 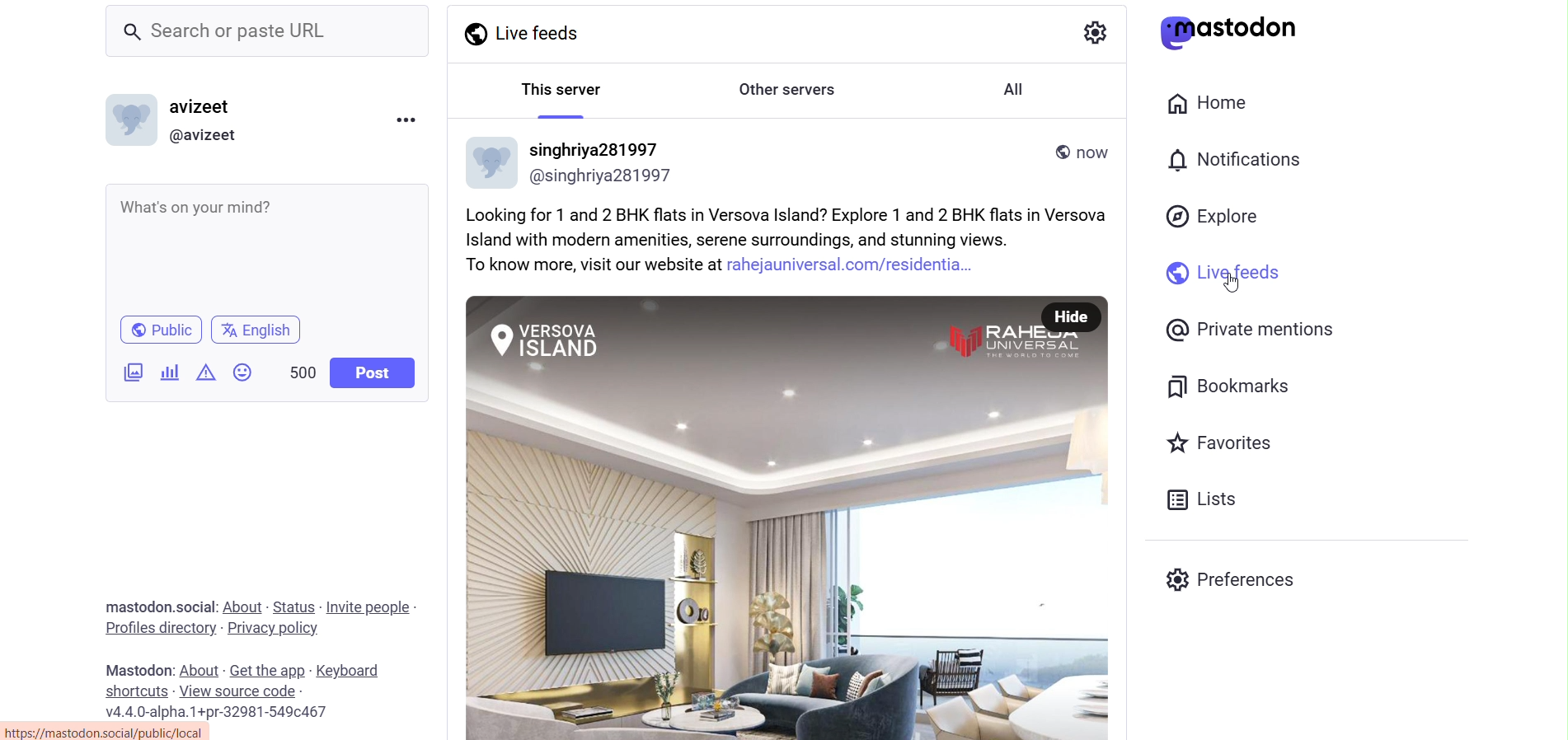 I want to click on privacy policy, so click(x=272, y=627).